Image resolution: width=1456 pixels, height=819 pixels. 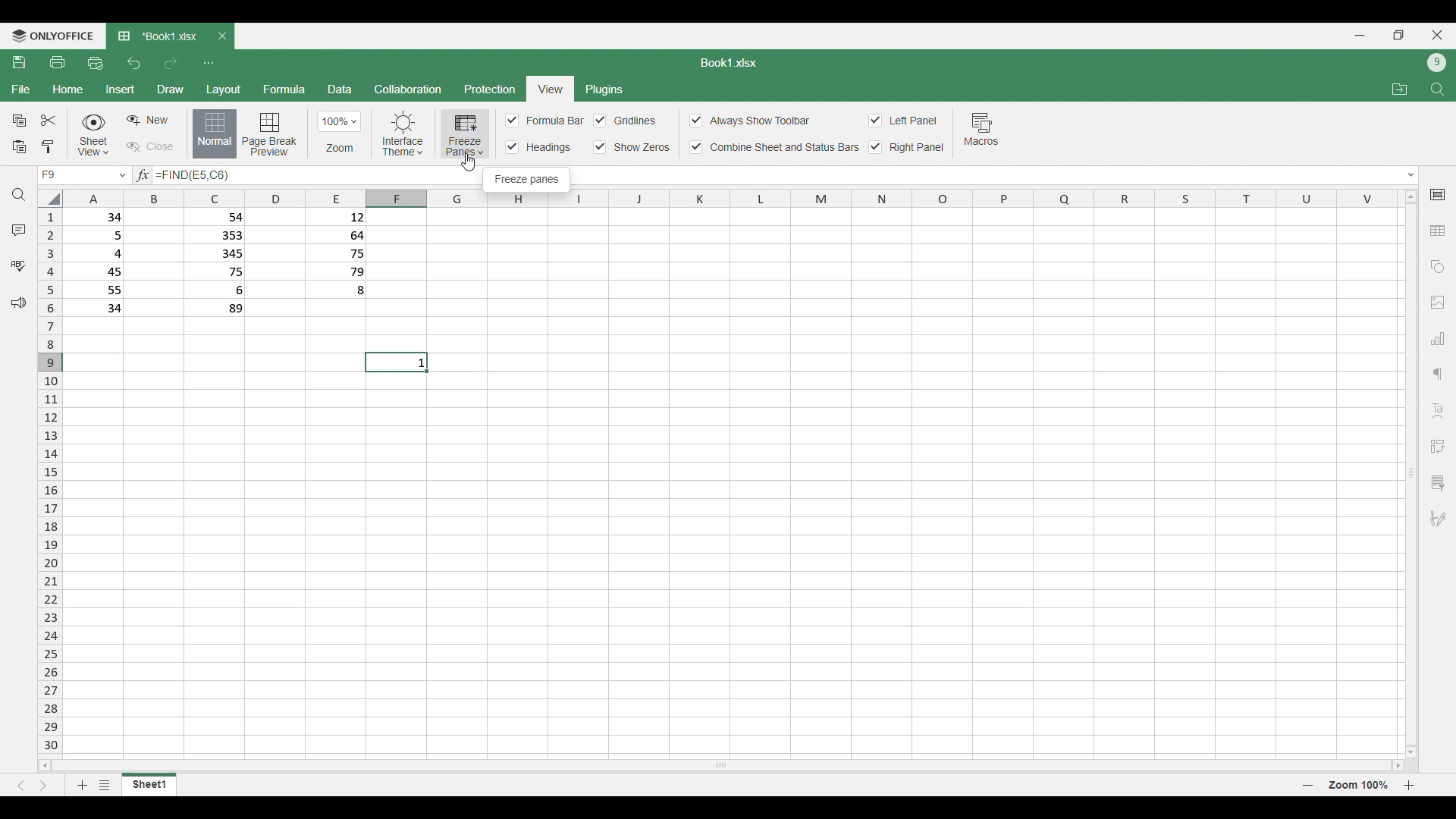 What do you see at coordinates (19, 147) in the screenshot?
I see `Paste` at bounding box center [19, 147].